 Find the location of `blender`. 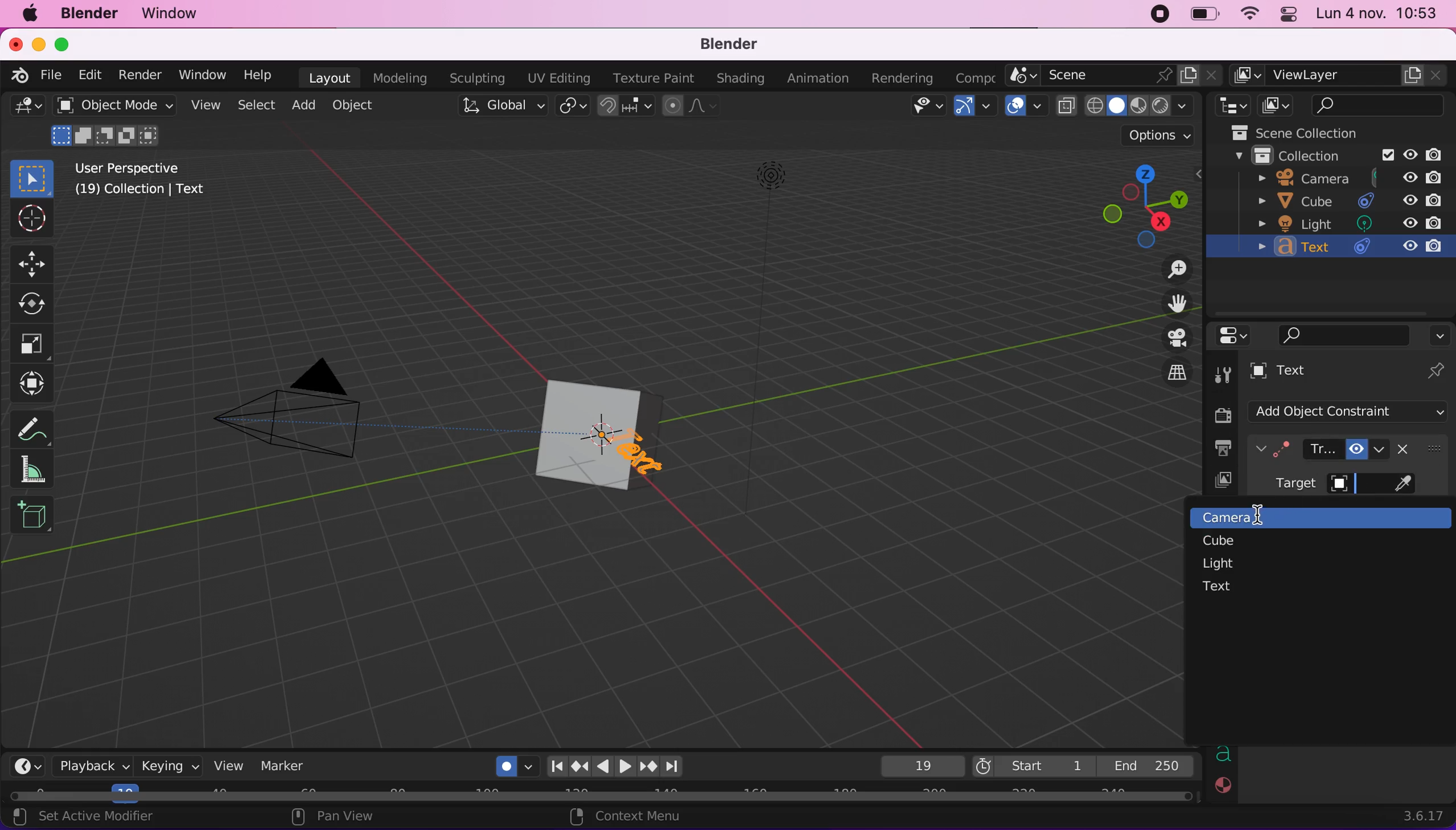

blender is located at coordinates (96, 15).